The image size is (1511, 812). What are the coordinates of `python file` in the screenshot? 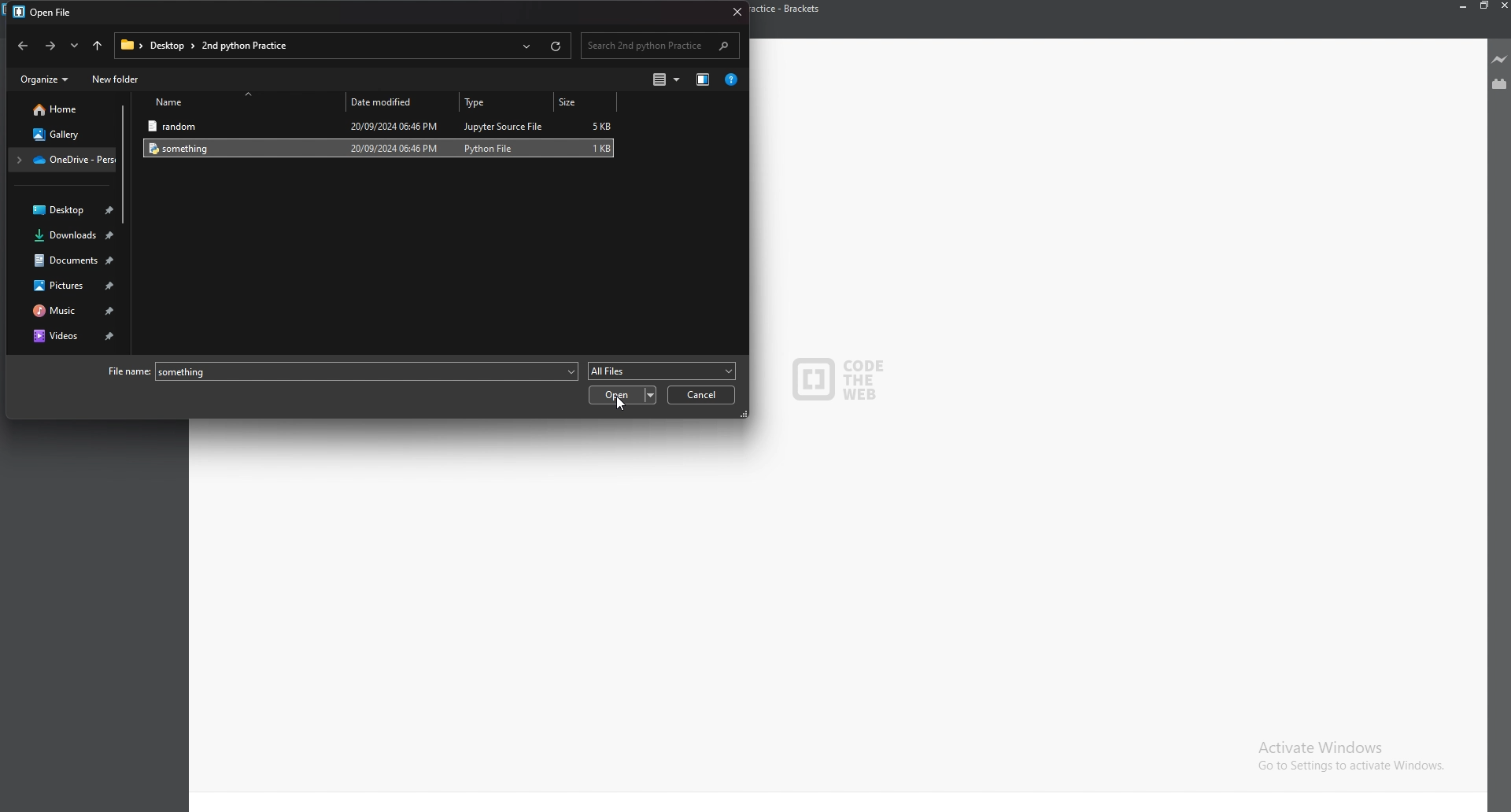 It's located at (490, 147).